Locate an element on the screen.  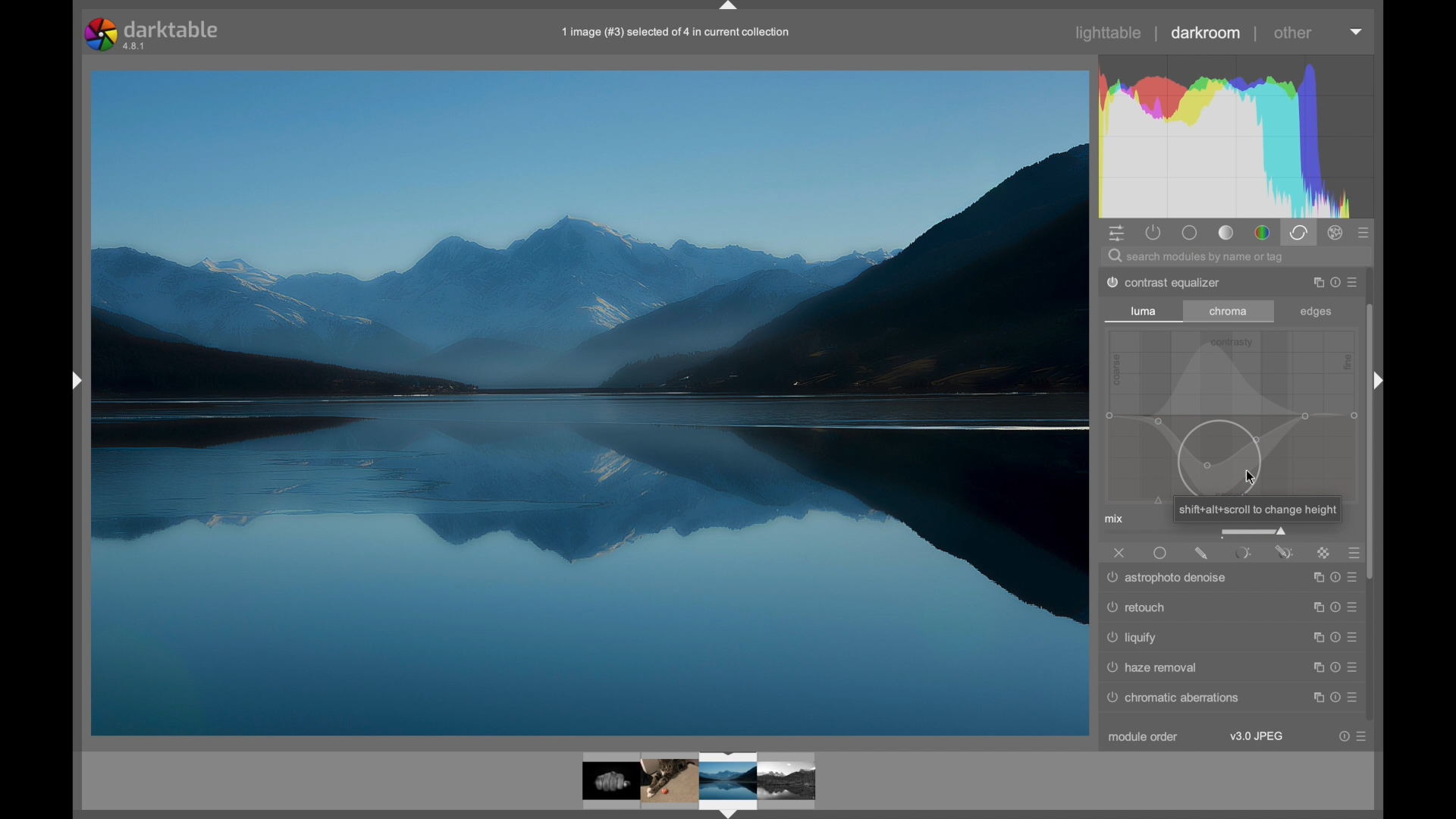
search bar is located at coordinates (1241, 256).